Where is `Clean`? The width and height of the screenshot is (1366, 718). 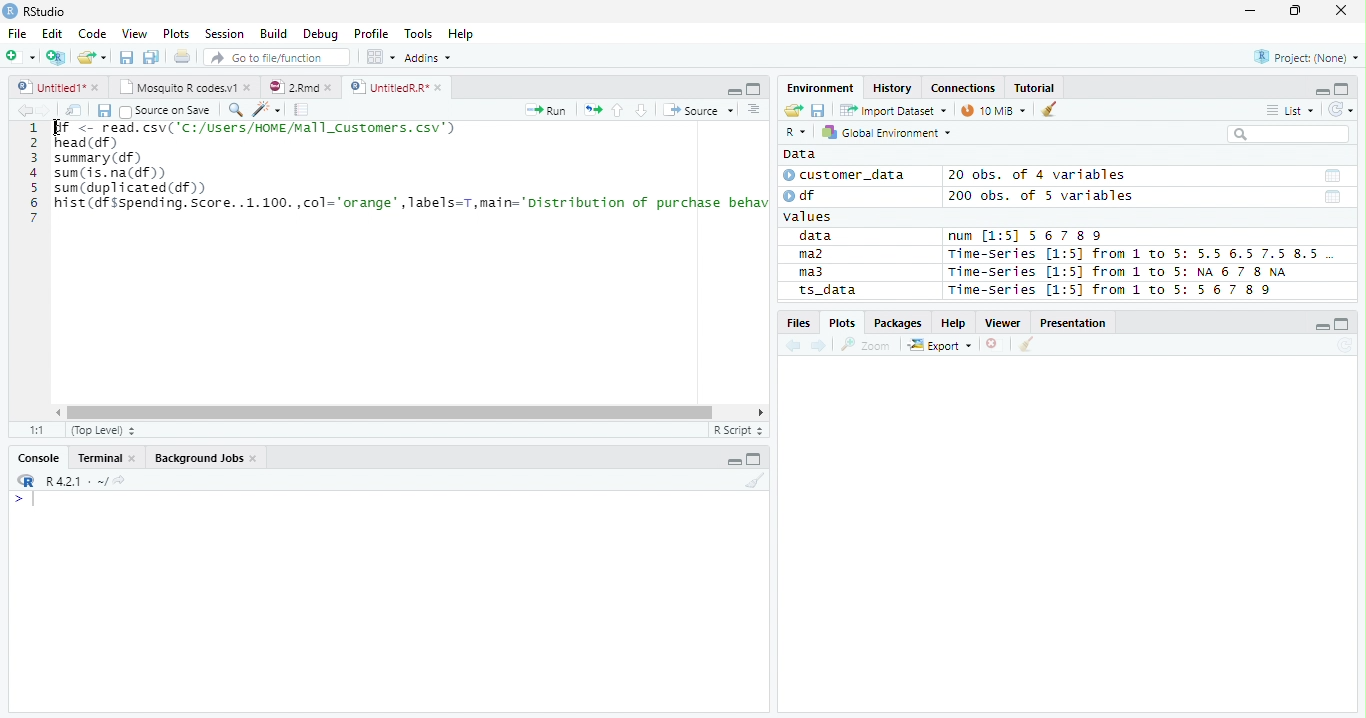 Clean is located at coordinates (1027, 344).